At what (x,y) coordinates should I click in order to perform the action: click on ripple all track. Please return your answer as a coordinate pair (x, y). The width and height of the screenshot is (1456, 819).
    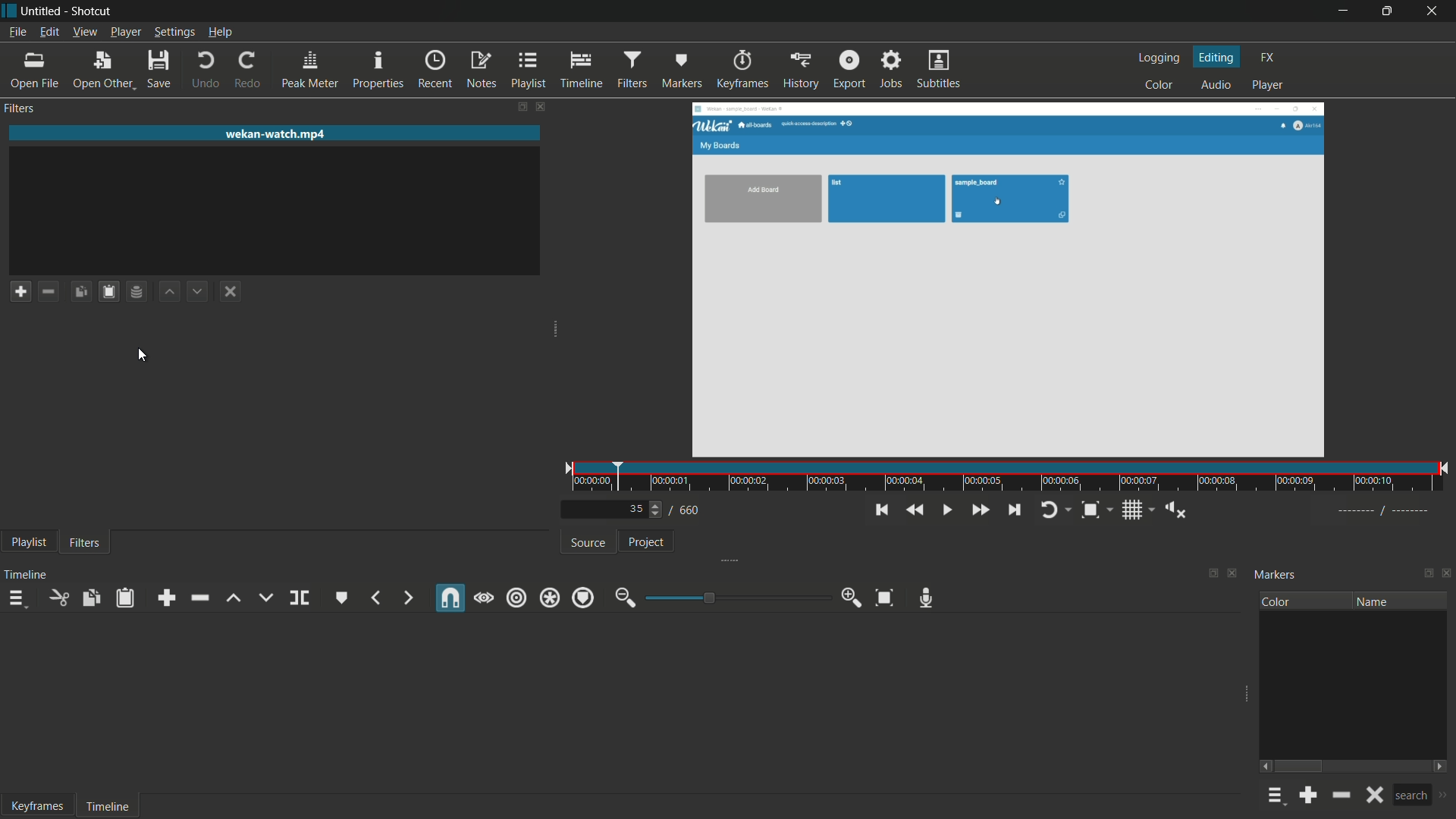
    Looking at the image, I should click on (549, 598).